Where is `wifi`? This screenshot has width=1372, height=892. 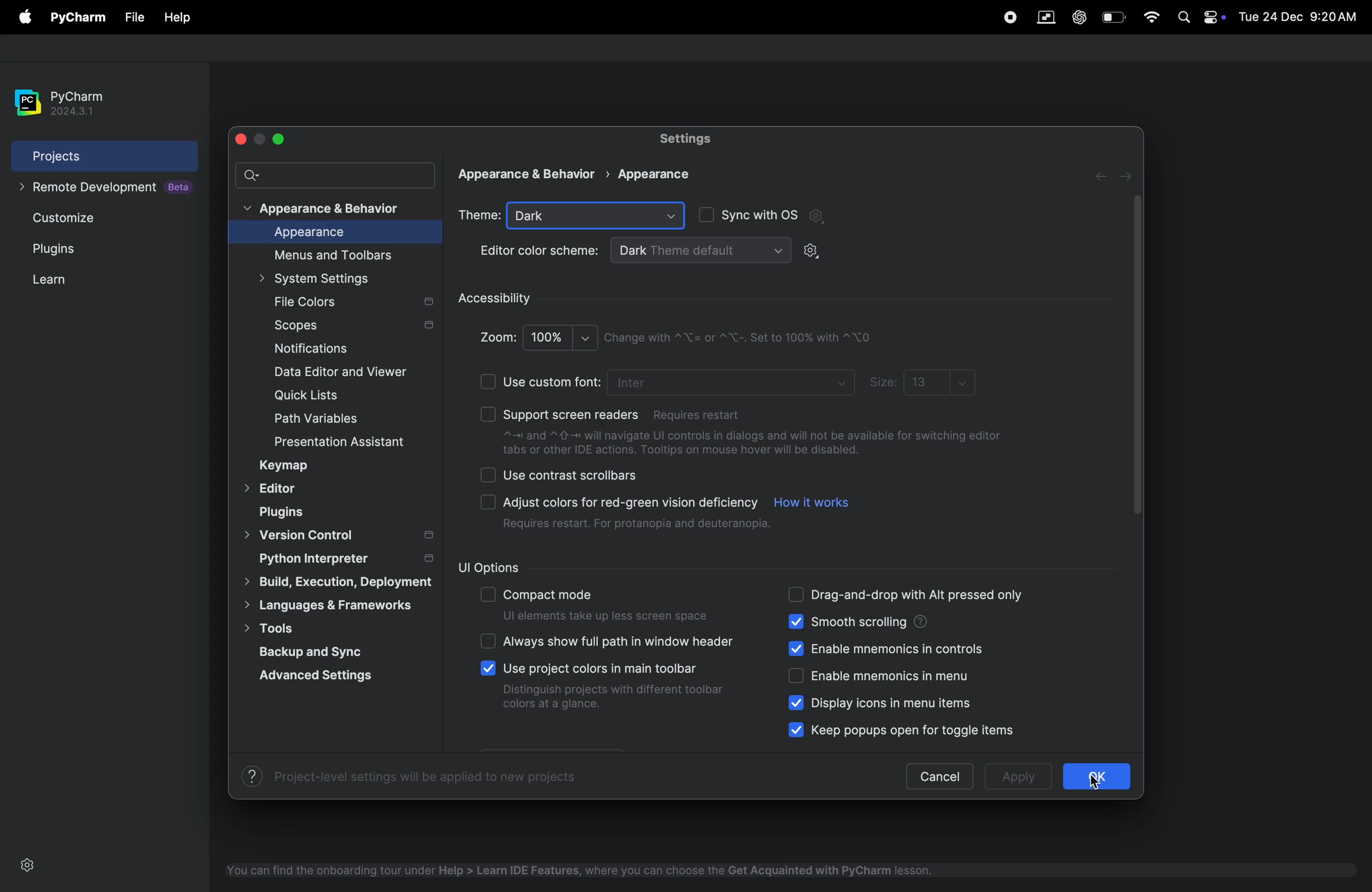
wifi is located at coordinates (1152, 17).